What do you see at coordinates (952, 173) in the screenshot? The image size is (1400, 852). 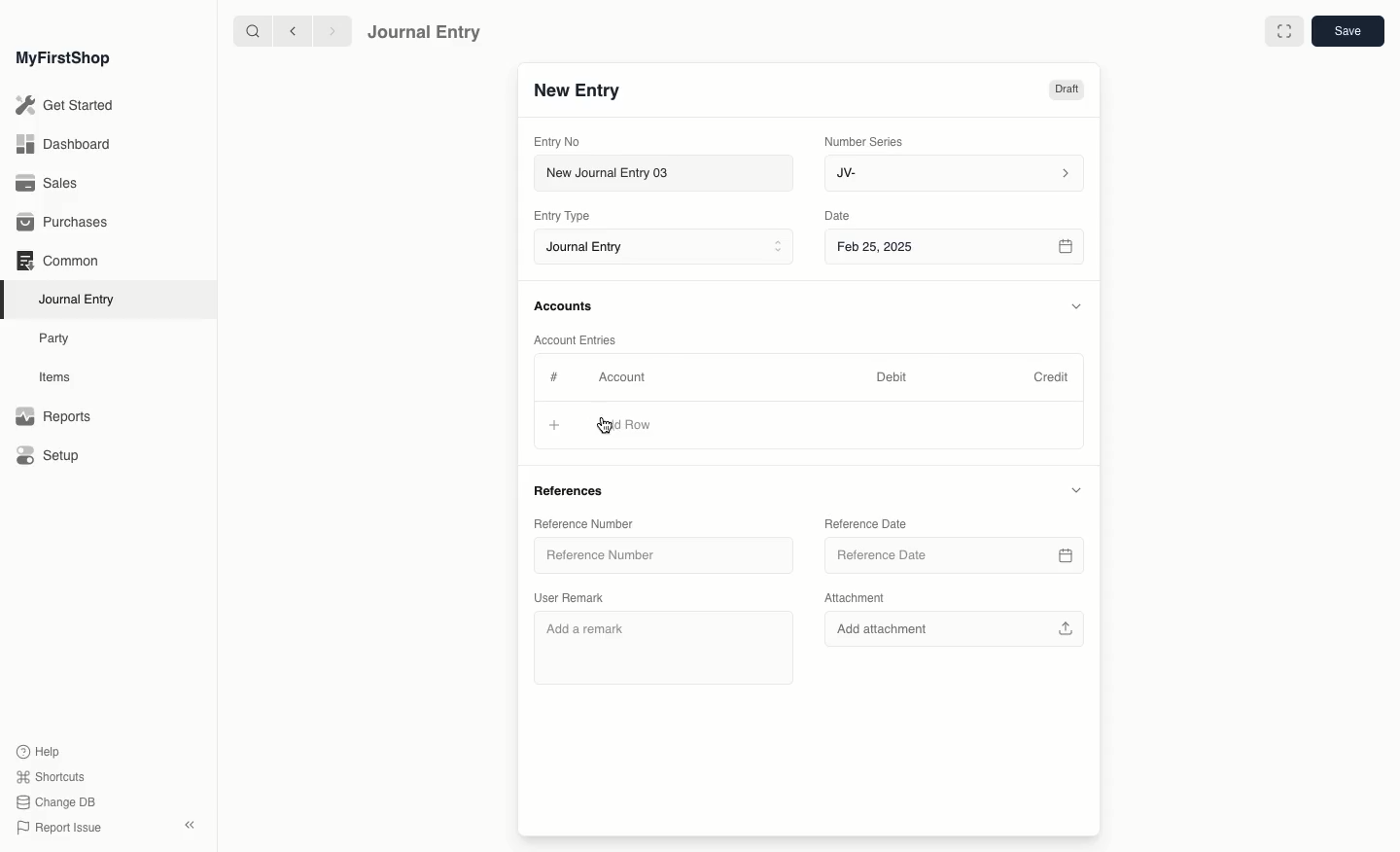 I see `JV-` at bounding box center [952, 173].